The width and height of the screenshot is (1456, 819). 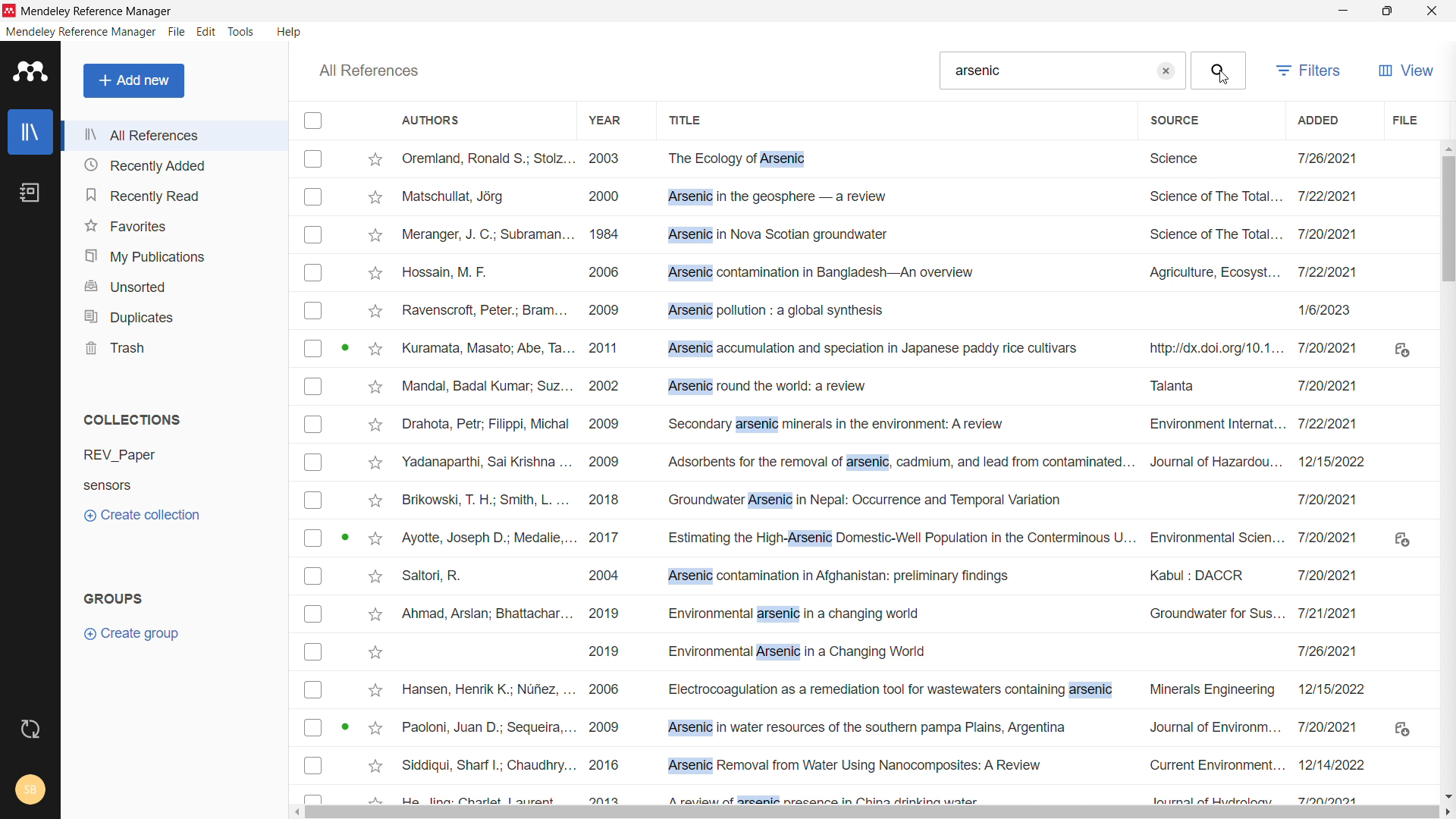 What do you see at coordinates (375, 498) in the screenshot?
I see `Add to favorites` at bounding box center [375, 498].